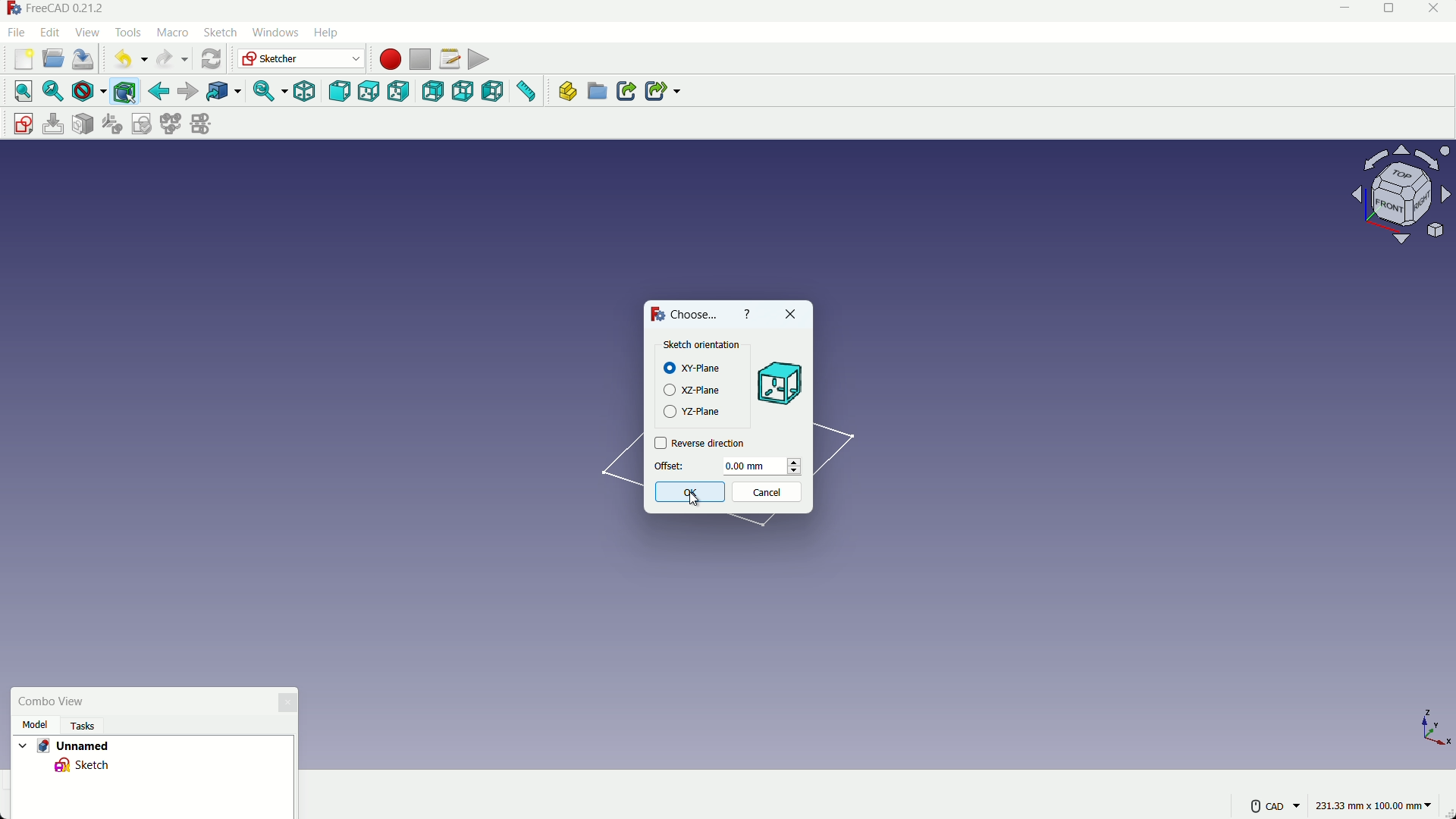 Image resolution: width=1456 pixels, height=819 pixels. What do you see at coordinates (51, 60) in the screenshot?
I see `open file` at bounding box center [51, 60].